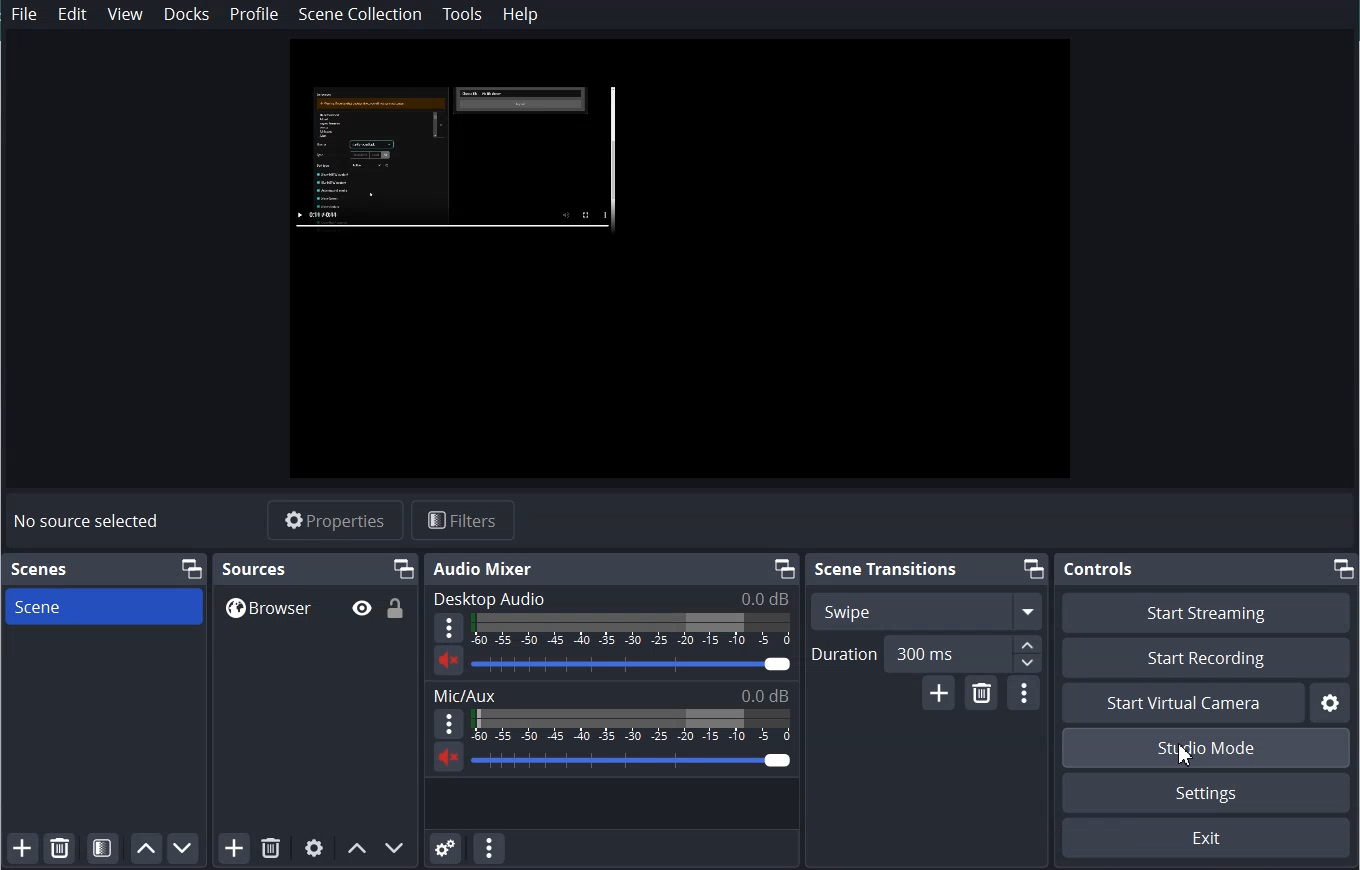 The image size is (1360, 870). What do you see at coordinates (939, 694) in the screenshot?
I see `Add Configurable Transition` at bounding box center [939, 694].